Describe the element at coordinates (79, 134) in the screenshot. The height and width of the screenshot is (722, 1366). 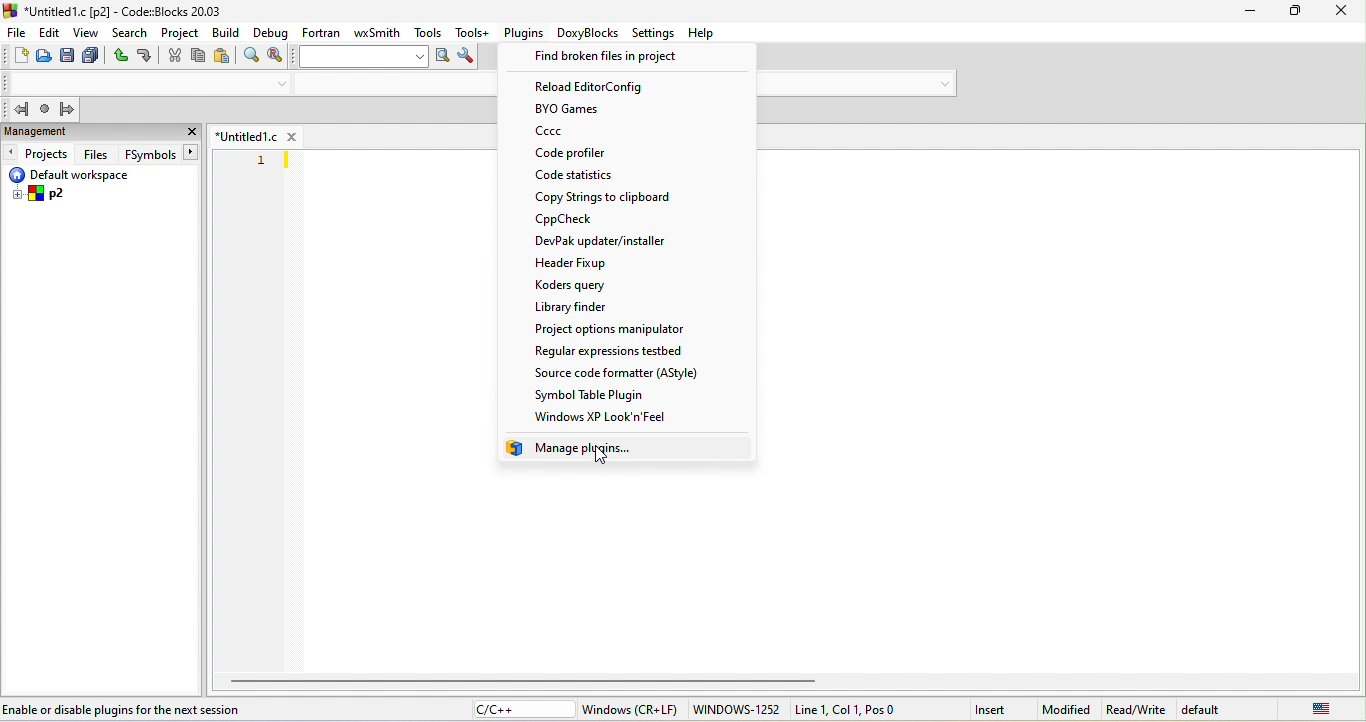
I see `management` at that location.